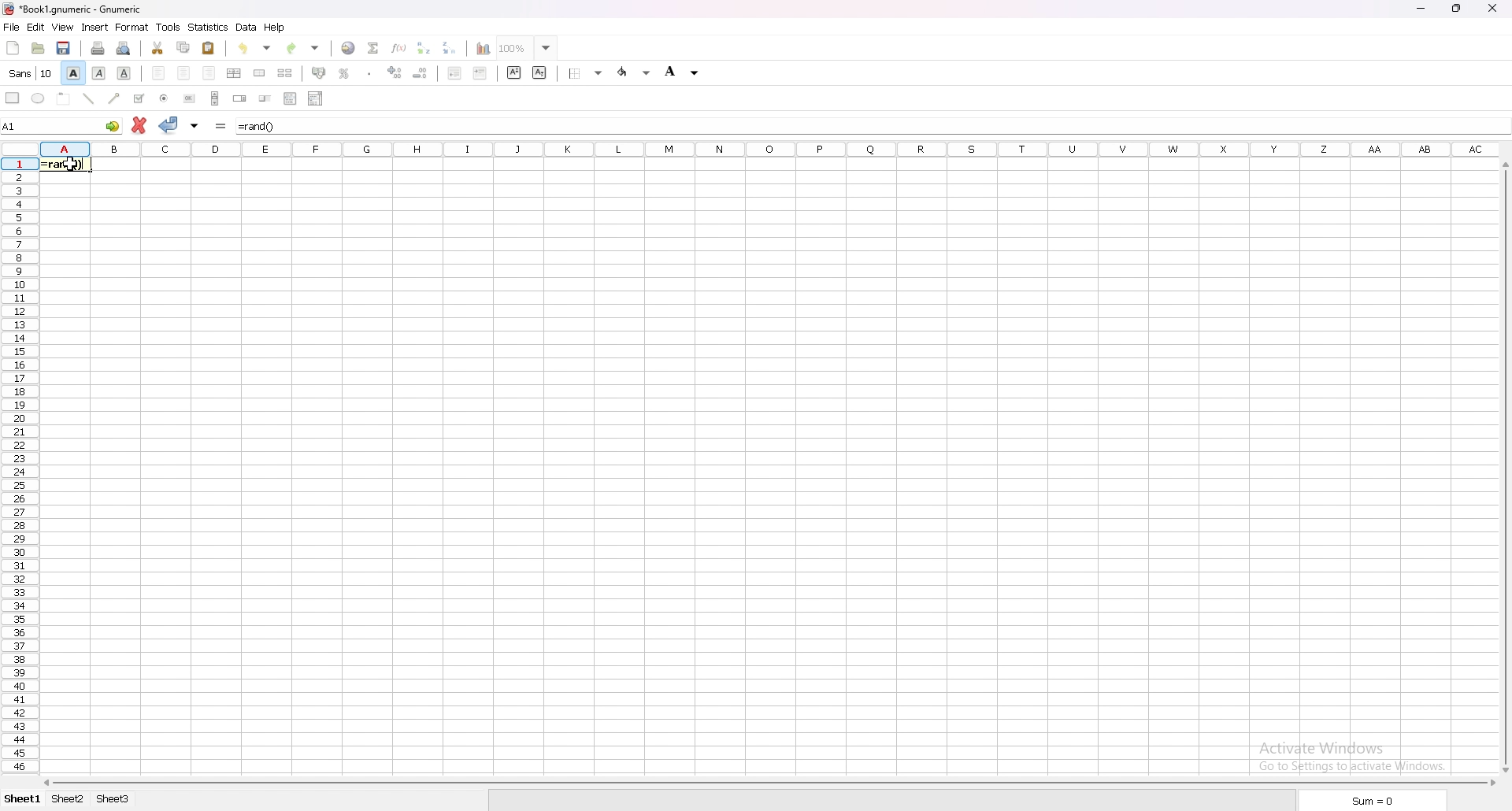  Describe the element at coordinates (64, 165) in the screenshot. I see `formula` at that location.